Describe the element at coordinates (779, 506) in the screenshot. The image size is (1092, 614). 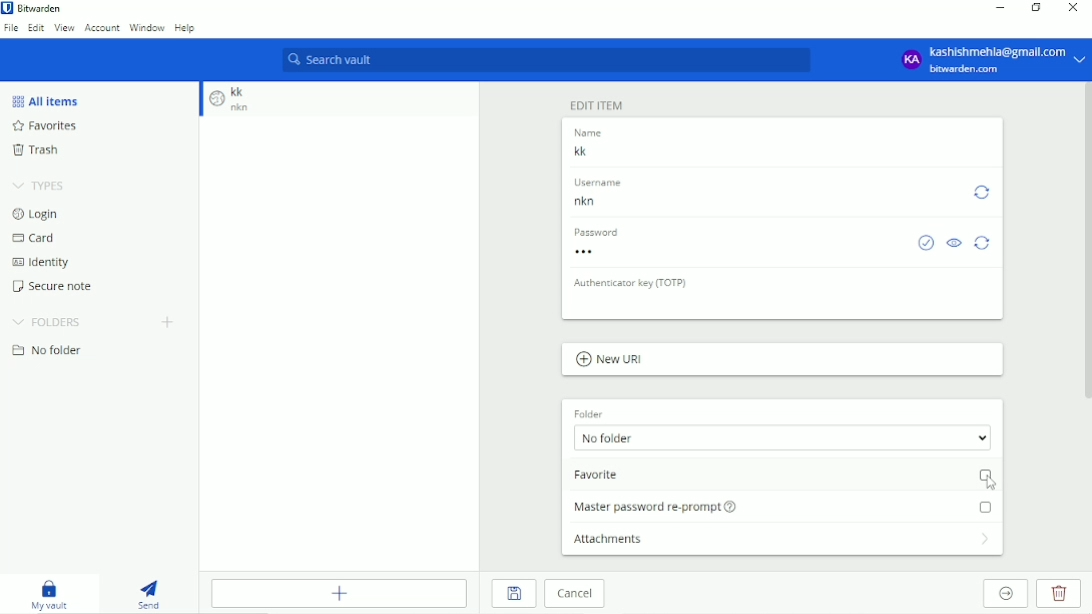
I see `Master password re-prompt` at that location.